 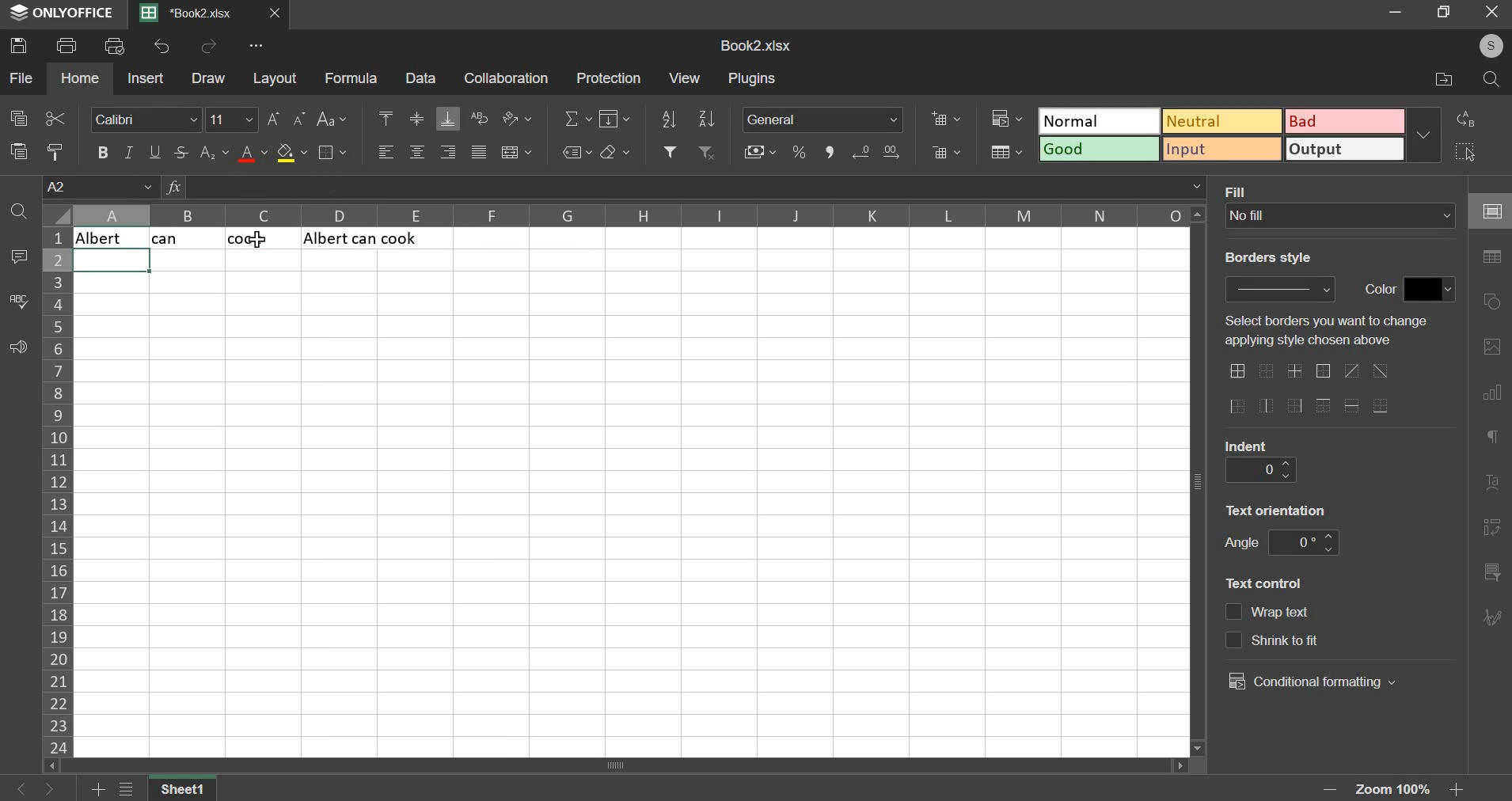 What do you see at coordinates (1430, 290) in the screenshot?
I see `border color` at bounding box center [1430, 290].